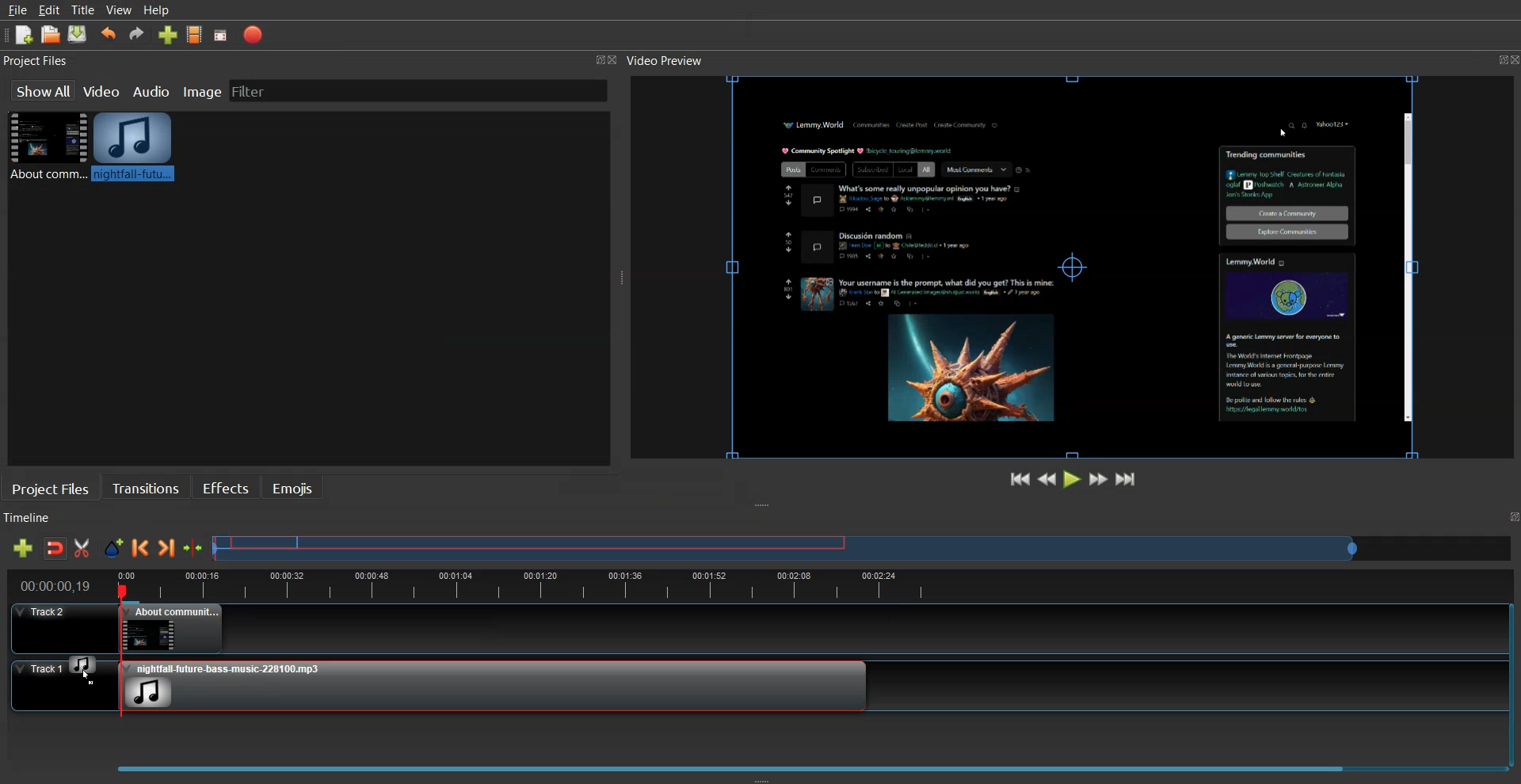  I want to click on Previous Marker, so click(140, 547).